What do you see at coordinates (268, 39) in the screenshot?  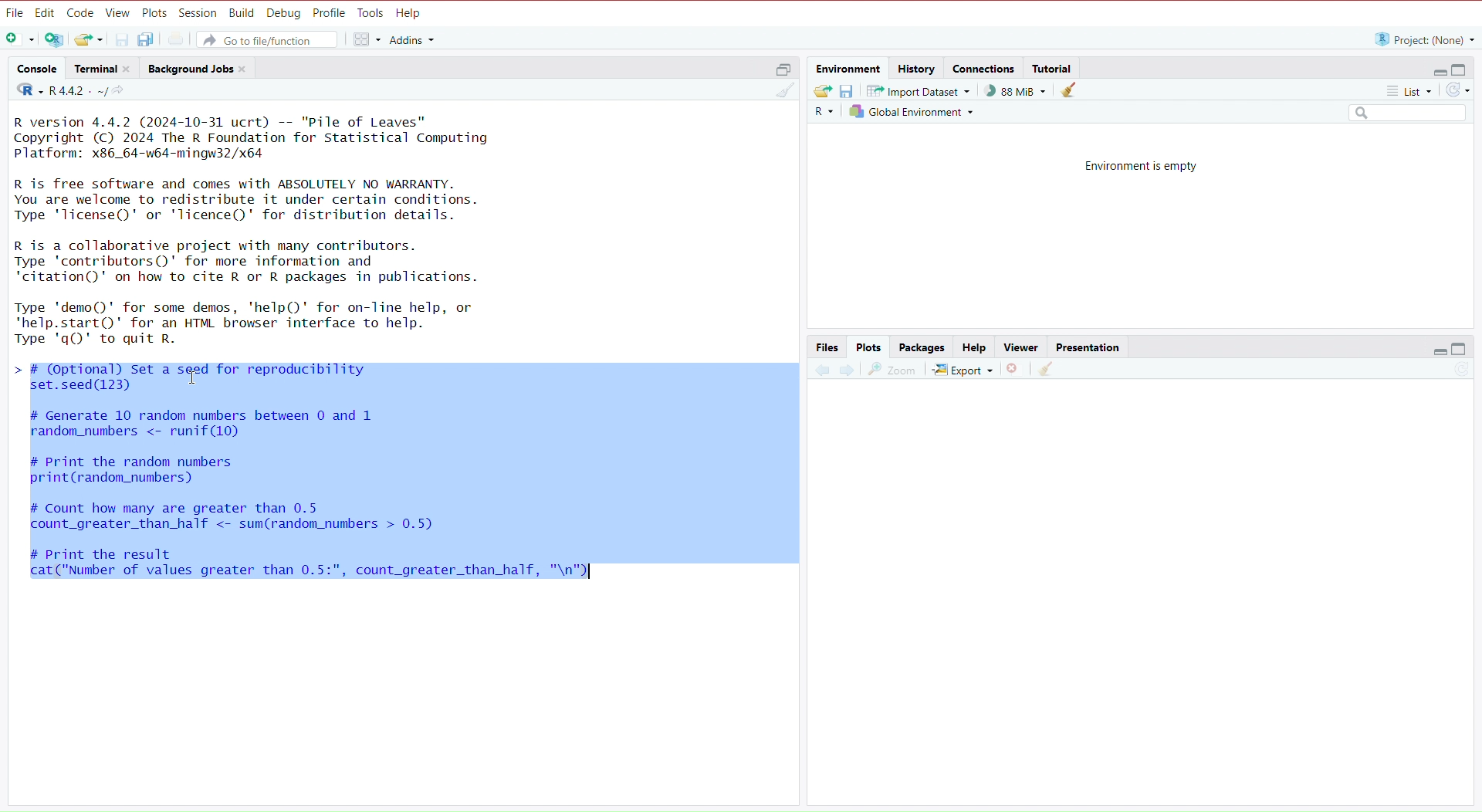 I see `Go to file/function` at bounding box center [268, 39].